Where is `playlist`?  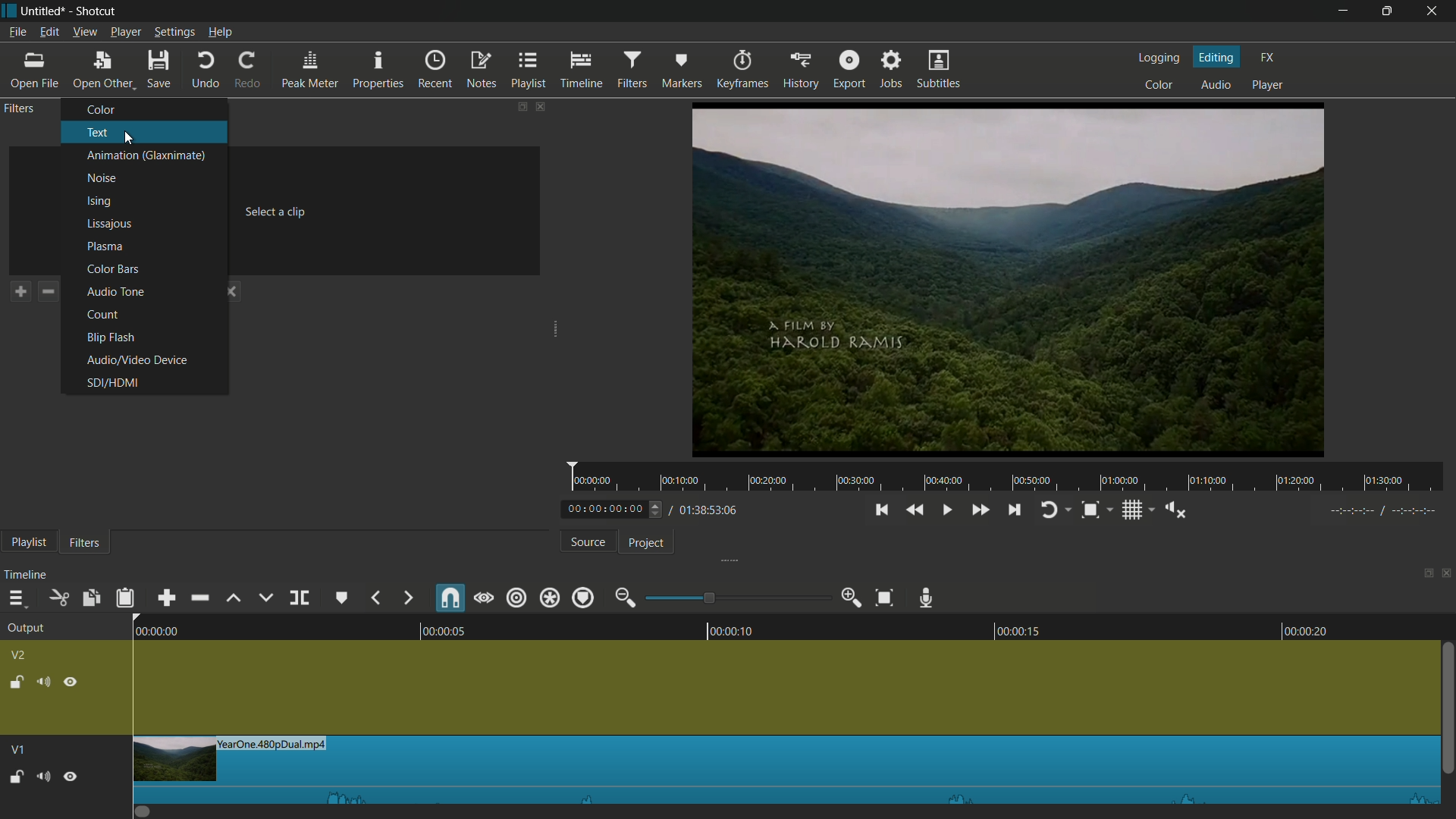 playlist is located at coordinates (28, 541).